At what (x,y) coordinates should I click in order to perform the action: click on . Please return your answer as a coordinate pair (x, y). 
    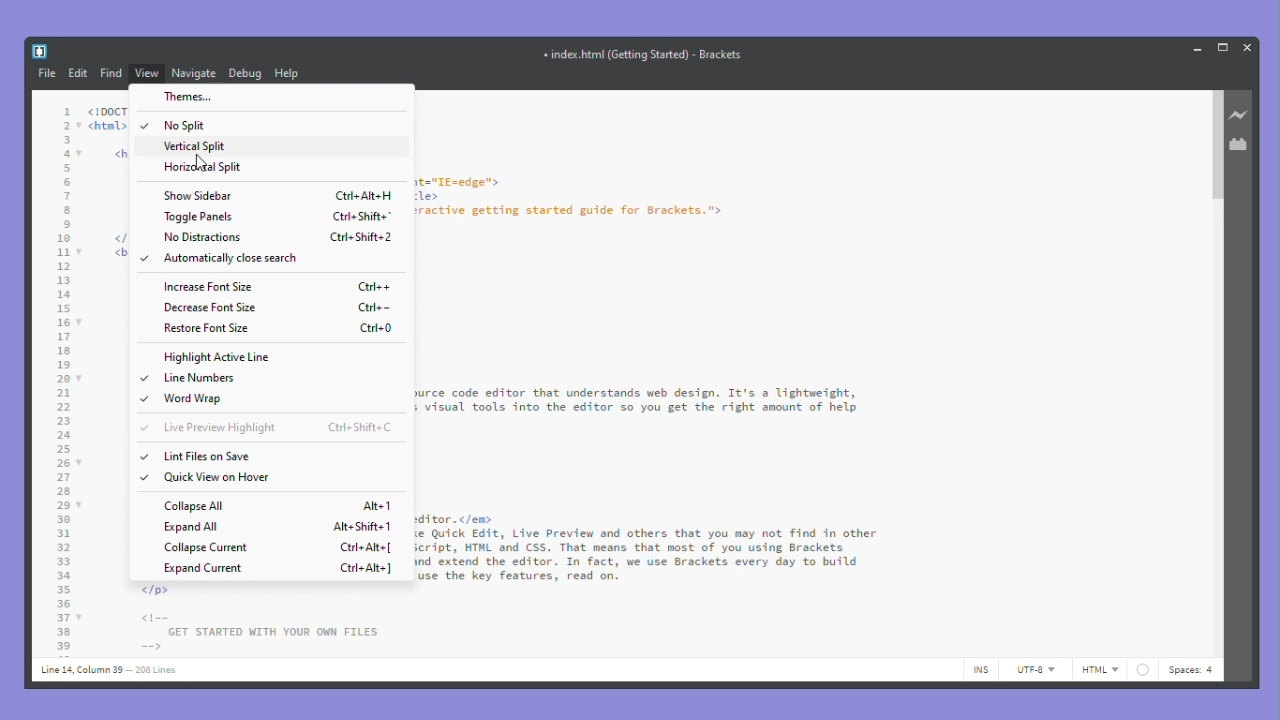
    Looking at the image, I should click on (1198, 48).